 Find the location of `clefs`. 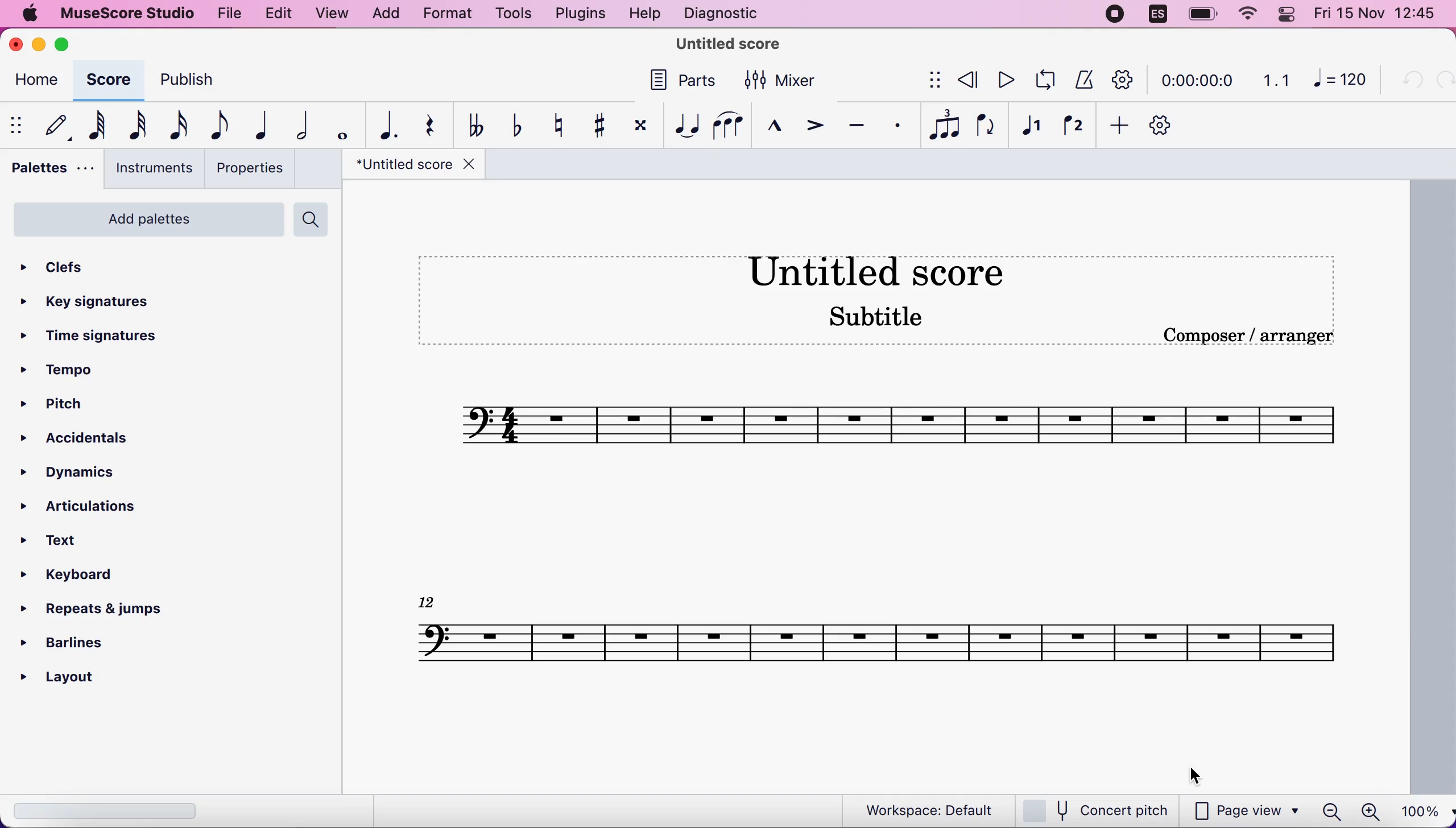

clefs is located at coordinates (74, 263).